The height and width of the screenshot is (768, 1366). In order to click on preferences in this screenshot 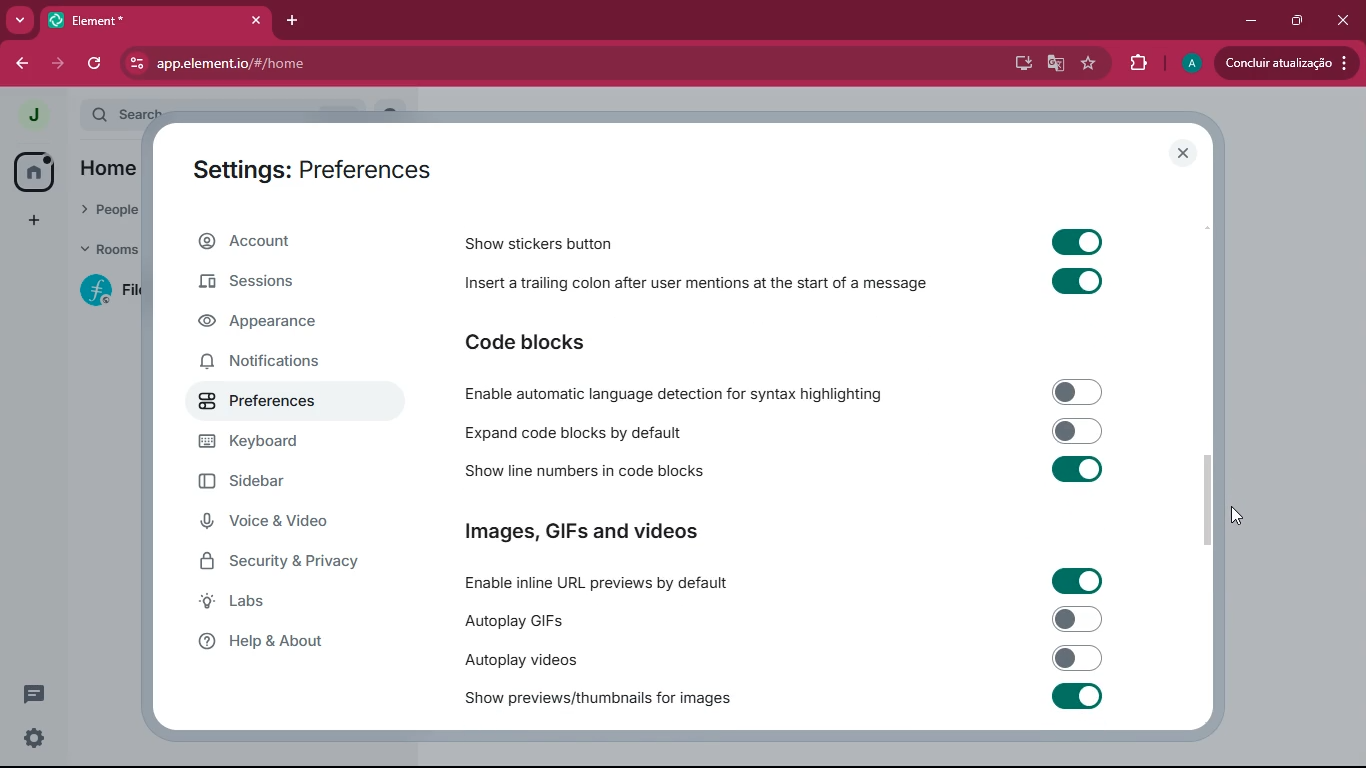, I will do `click(280, 406)`.